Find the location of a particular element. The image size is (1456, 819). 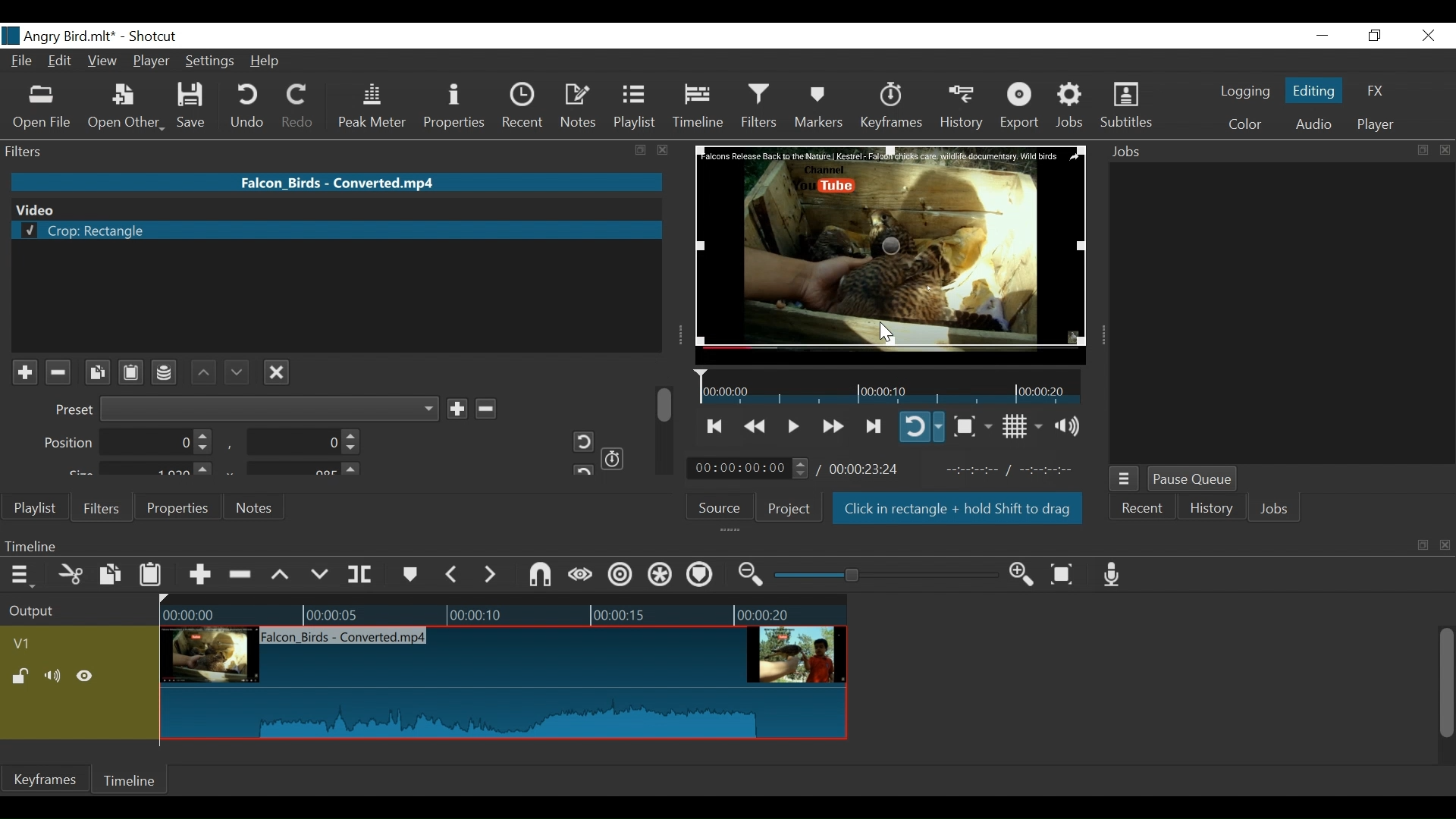

minimize is located at coordinates (1322, 36).